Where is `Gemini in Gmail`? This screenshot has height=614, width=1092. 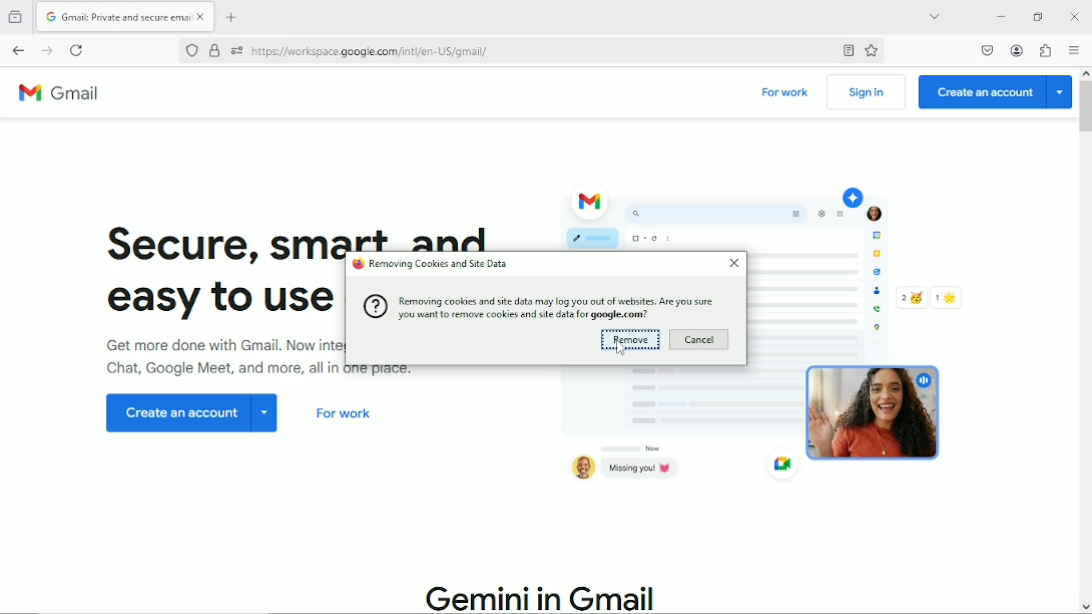
Gemini in Gmail is located at coordinates (548, 592).